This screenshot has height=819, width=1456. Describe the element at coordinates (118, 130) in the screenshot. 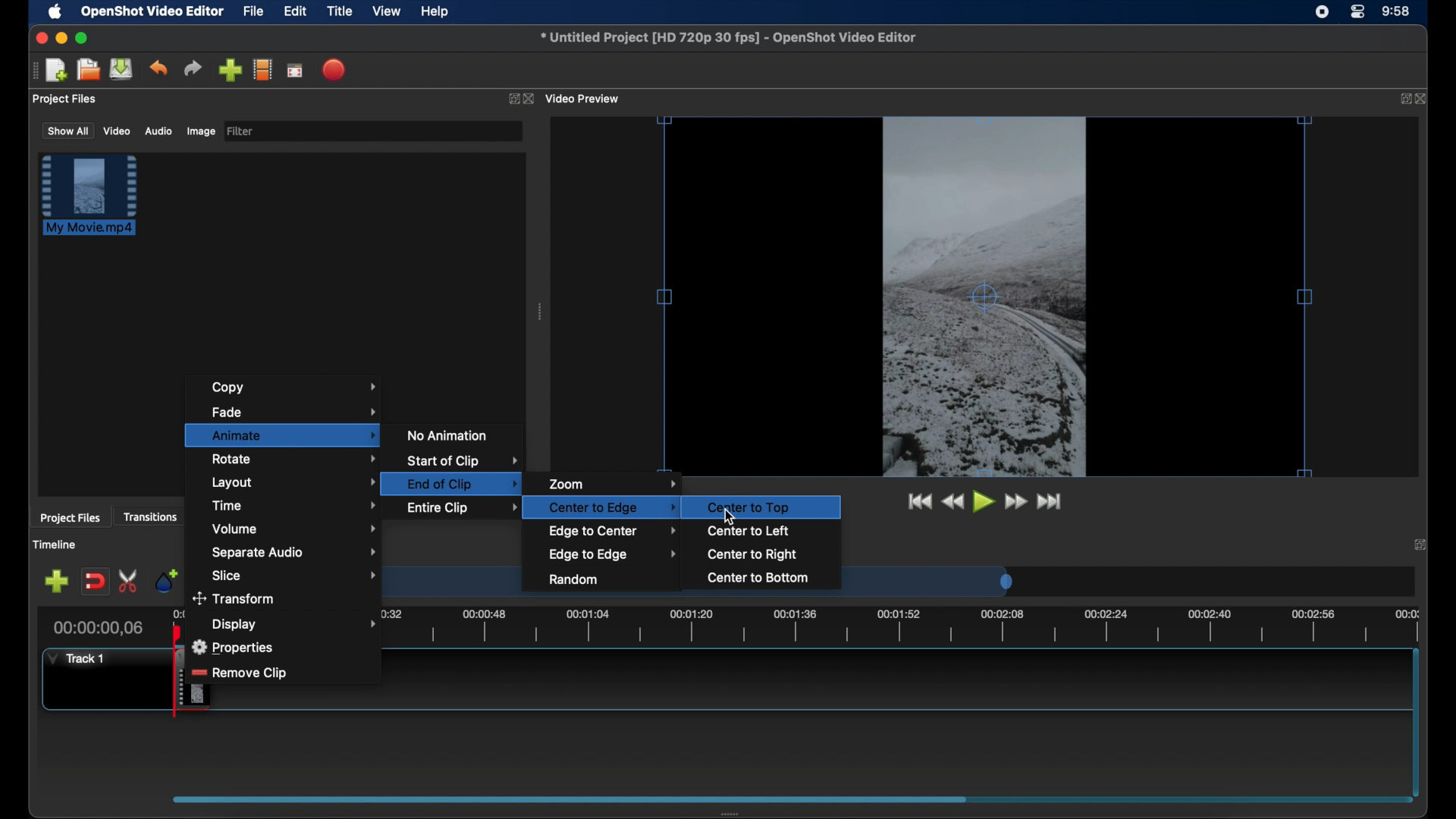

I see `video` at that location.